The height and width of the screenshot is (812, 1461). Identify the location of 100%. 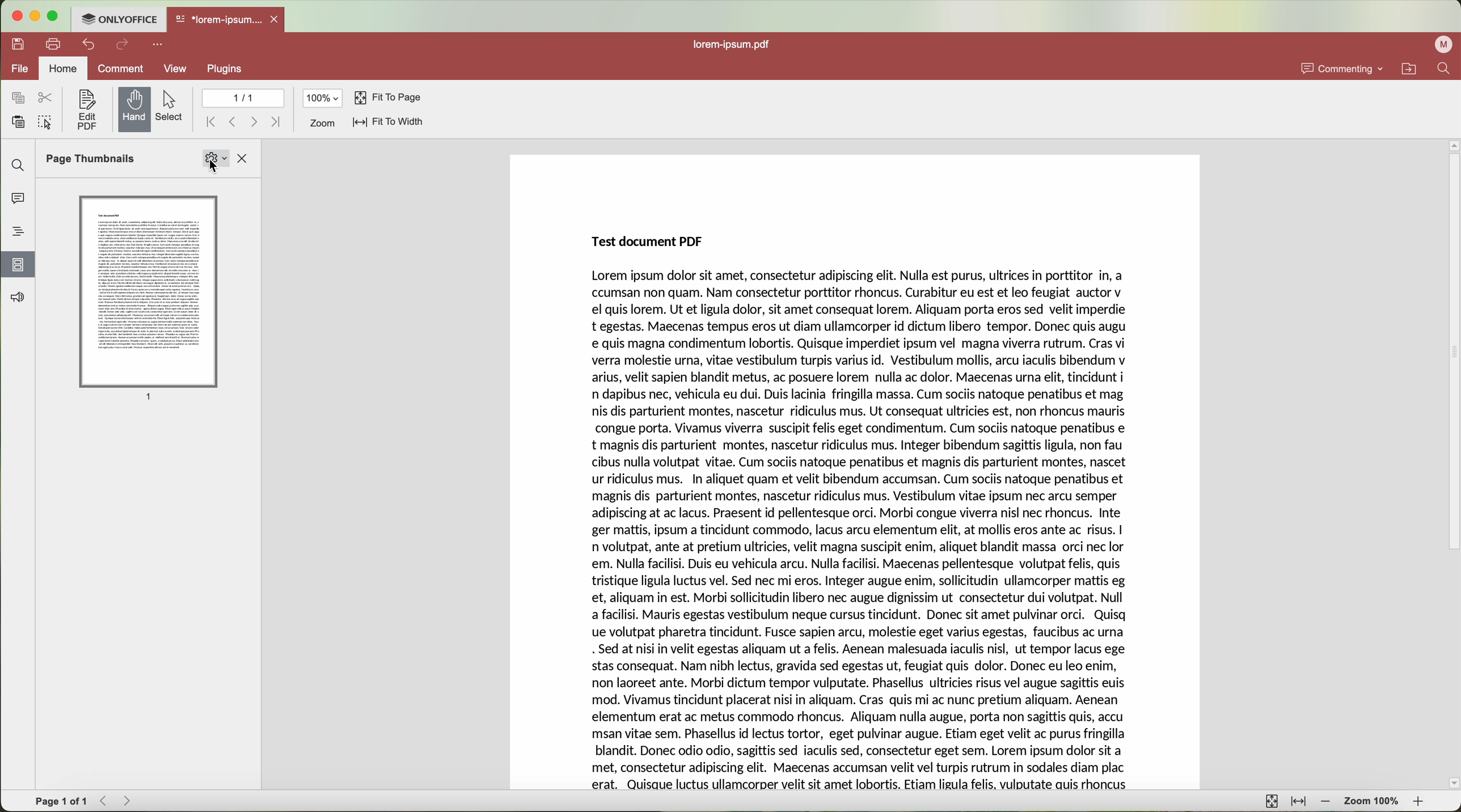
(324, 98).